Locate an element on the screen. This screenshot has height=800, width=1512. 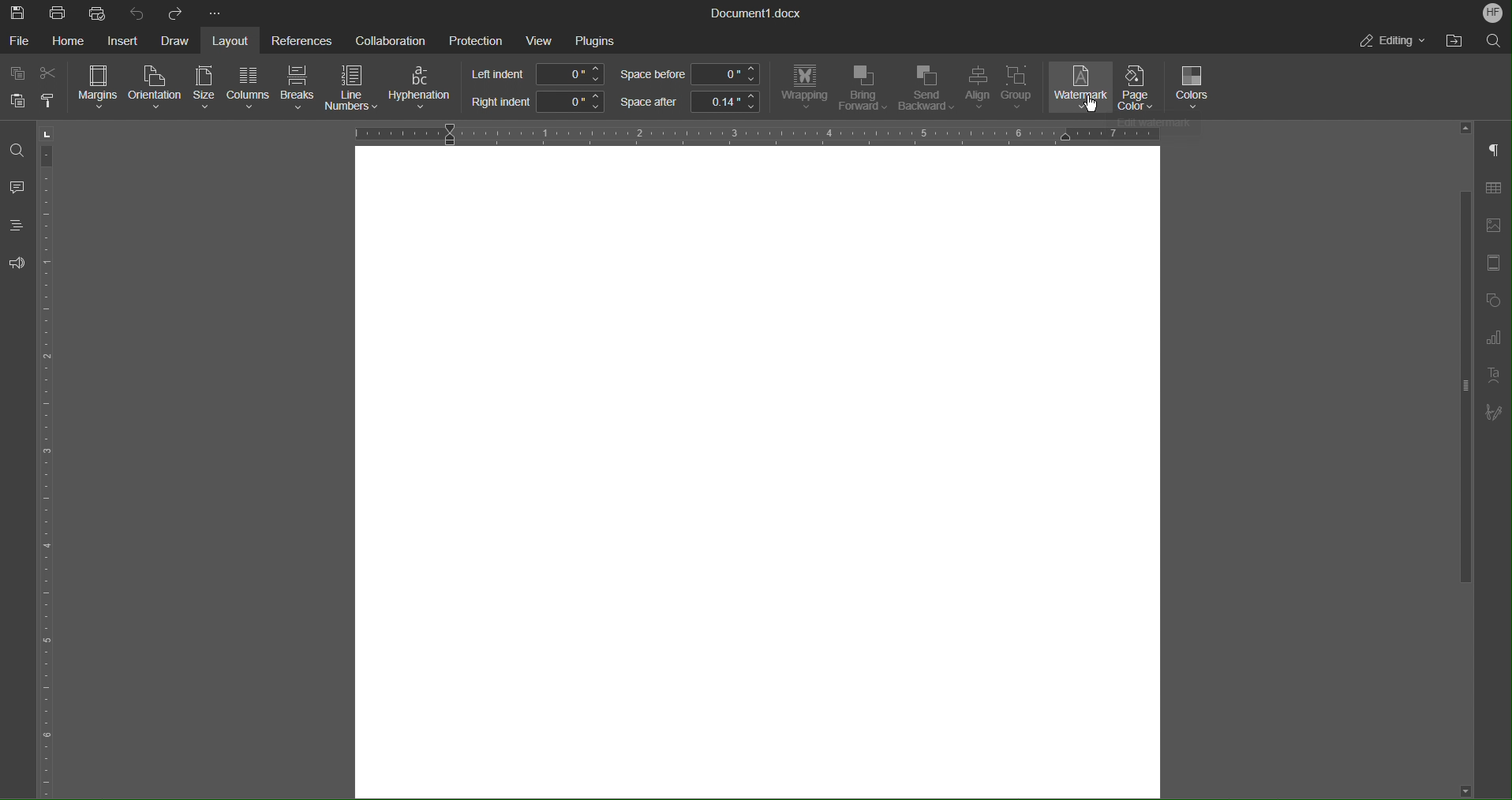
Columns is located at coordinates (246, 88).